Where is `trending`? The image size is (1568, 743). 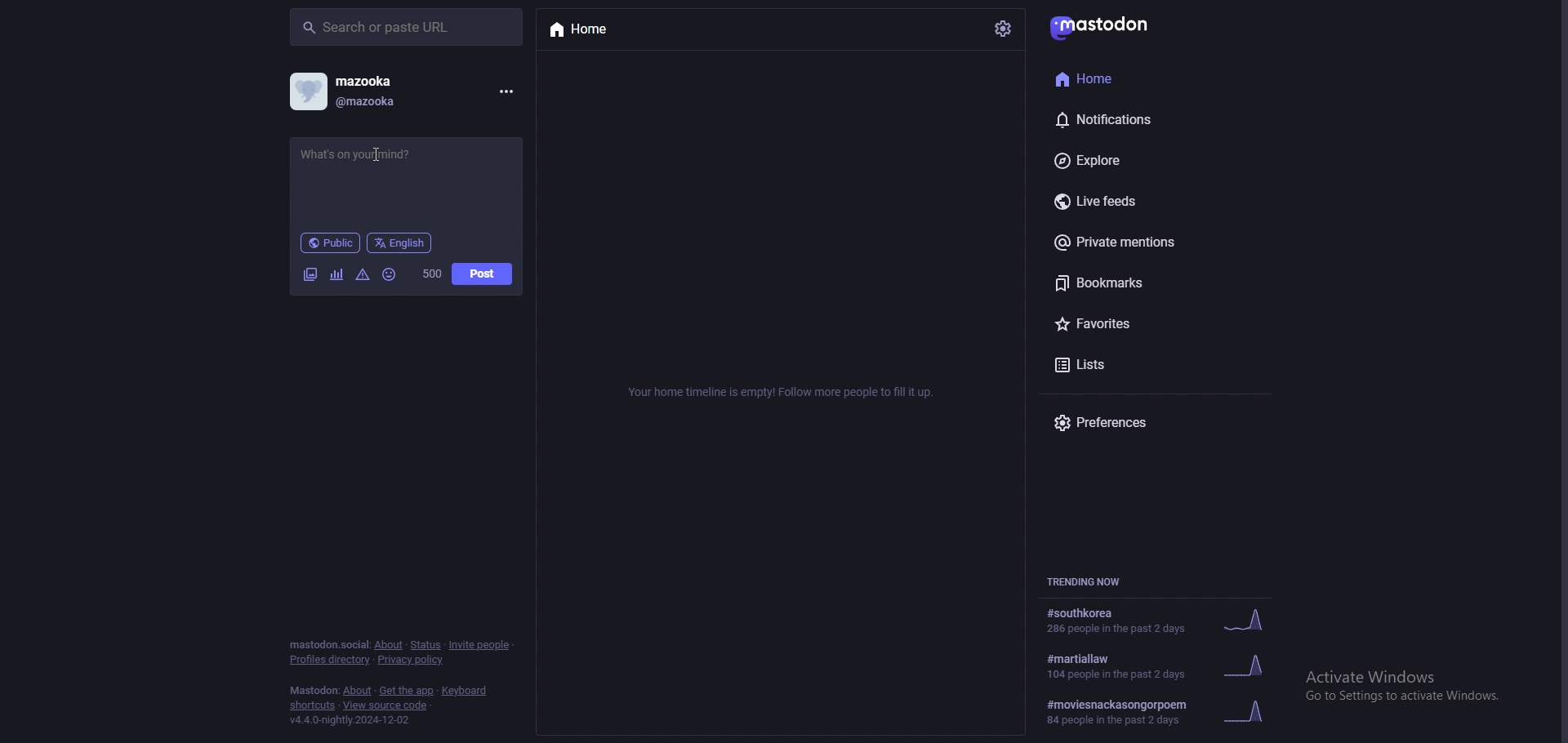
trending is located at coordinates (1161, 665).